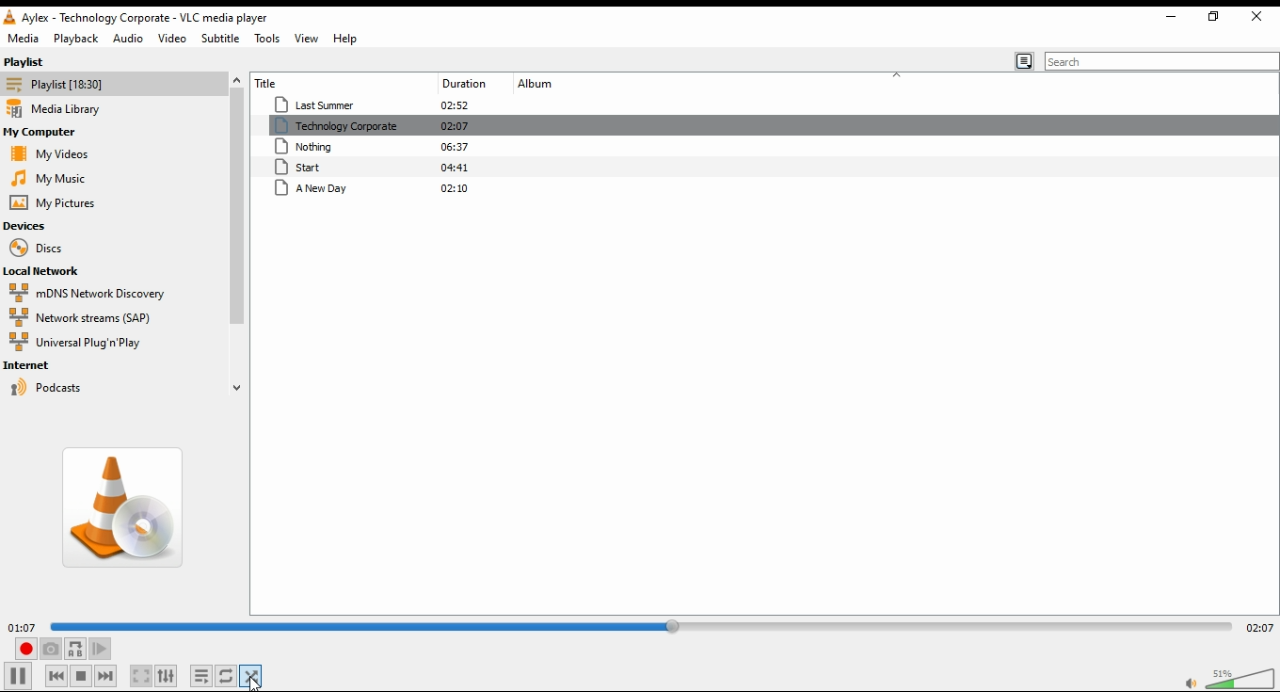 This screenshot has width=1280, height=692. Describe the element at coordinates (1189, 682) in the screenshot. I see `mute/unmute` at that location.